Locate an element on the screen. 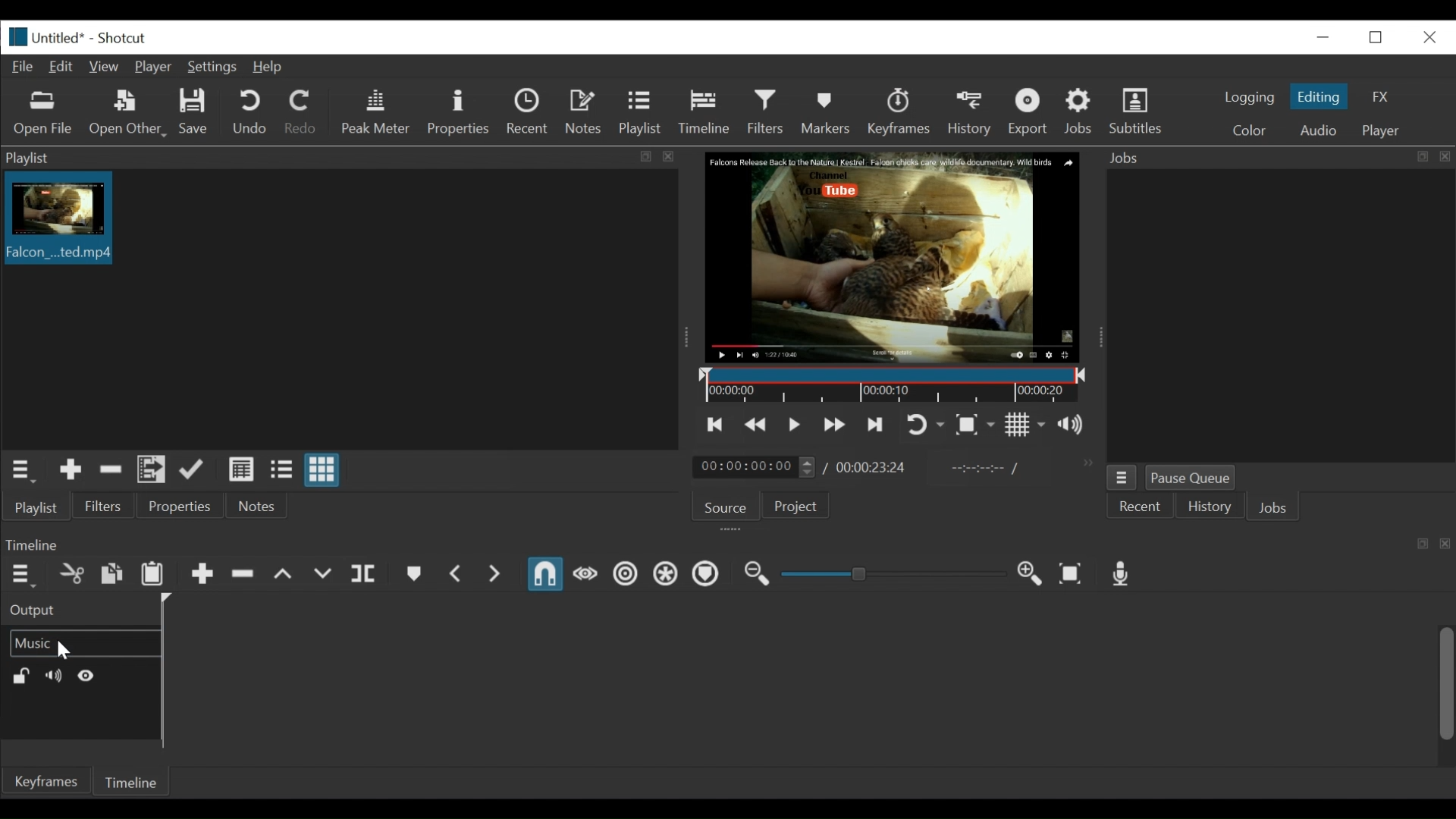 Image resolution: width=1456 pixels, height=819 pixels. Playlist is located at coordinates (39, 508).